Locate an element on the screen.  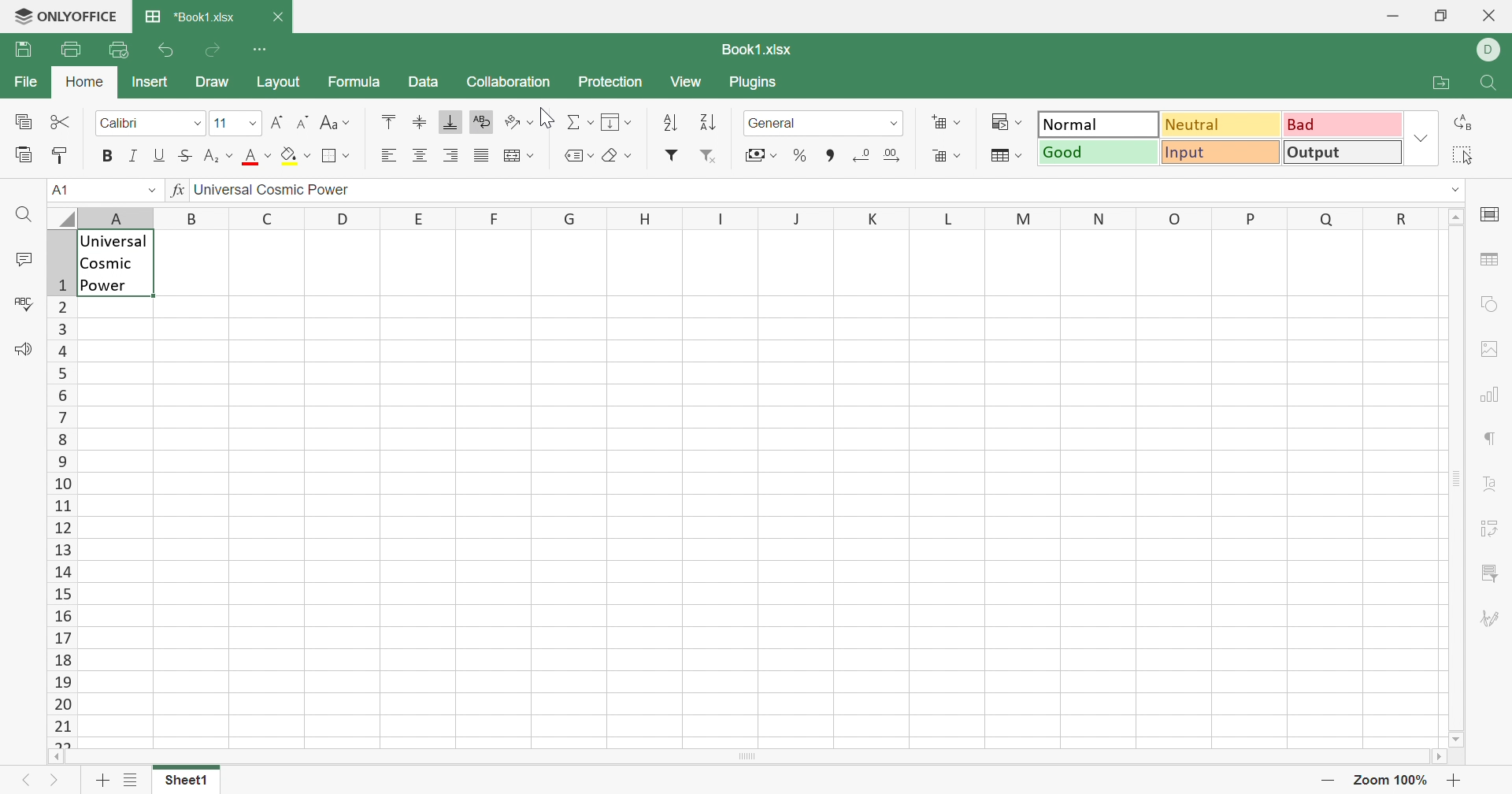
Protection is located at coordinates (613, 82).